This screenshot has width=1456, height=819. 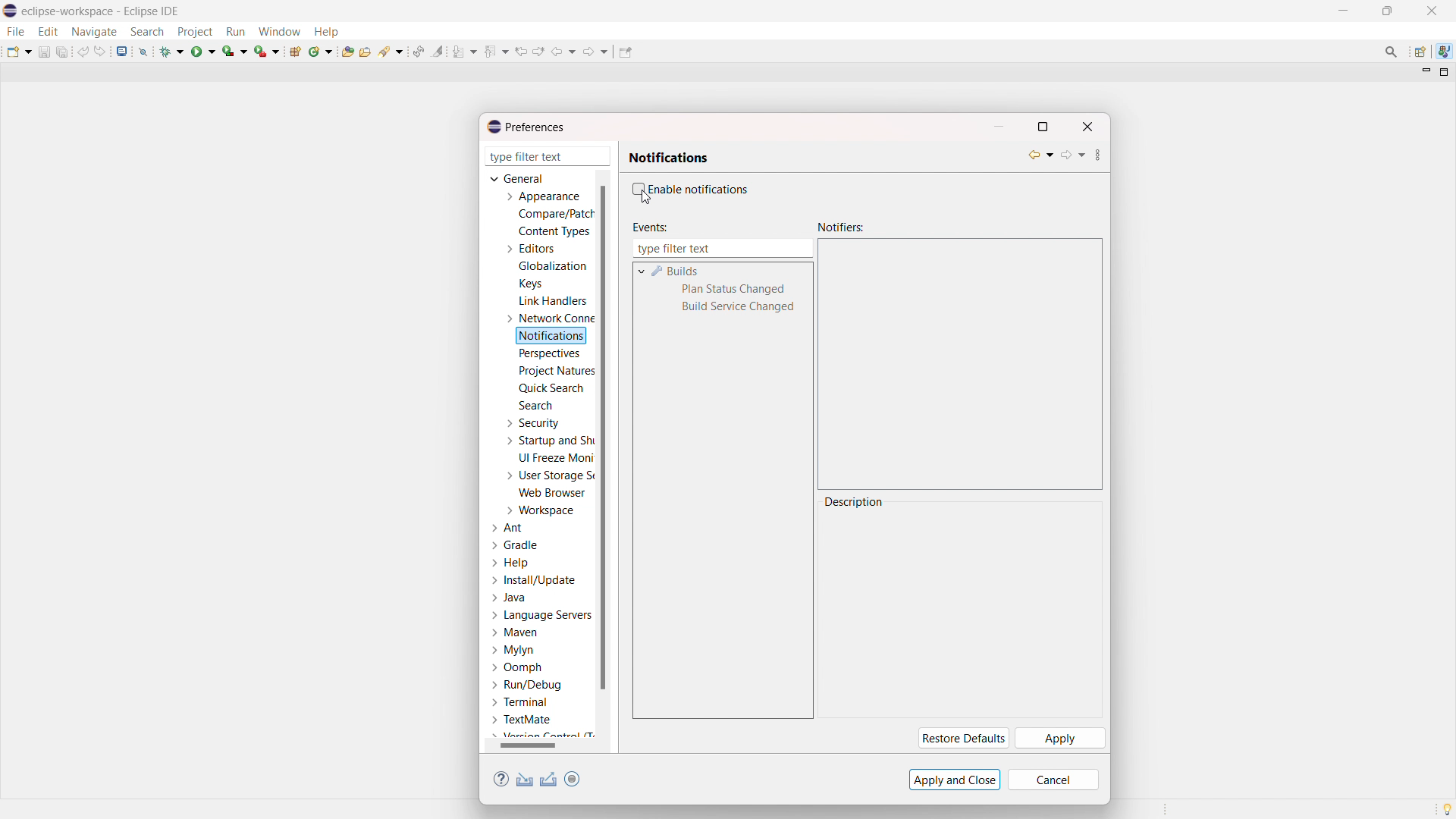 What do you see at coordinates (172, 51) in the screenshot?
I see `debug` at bounding box center [172, 51].